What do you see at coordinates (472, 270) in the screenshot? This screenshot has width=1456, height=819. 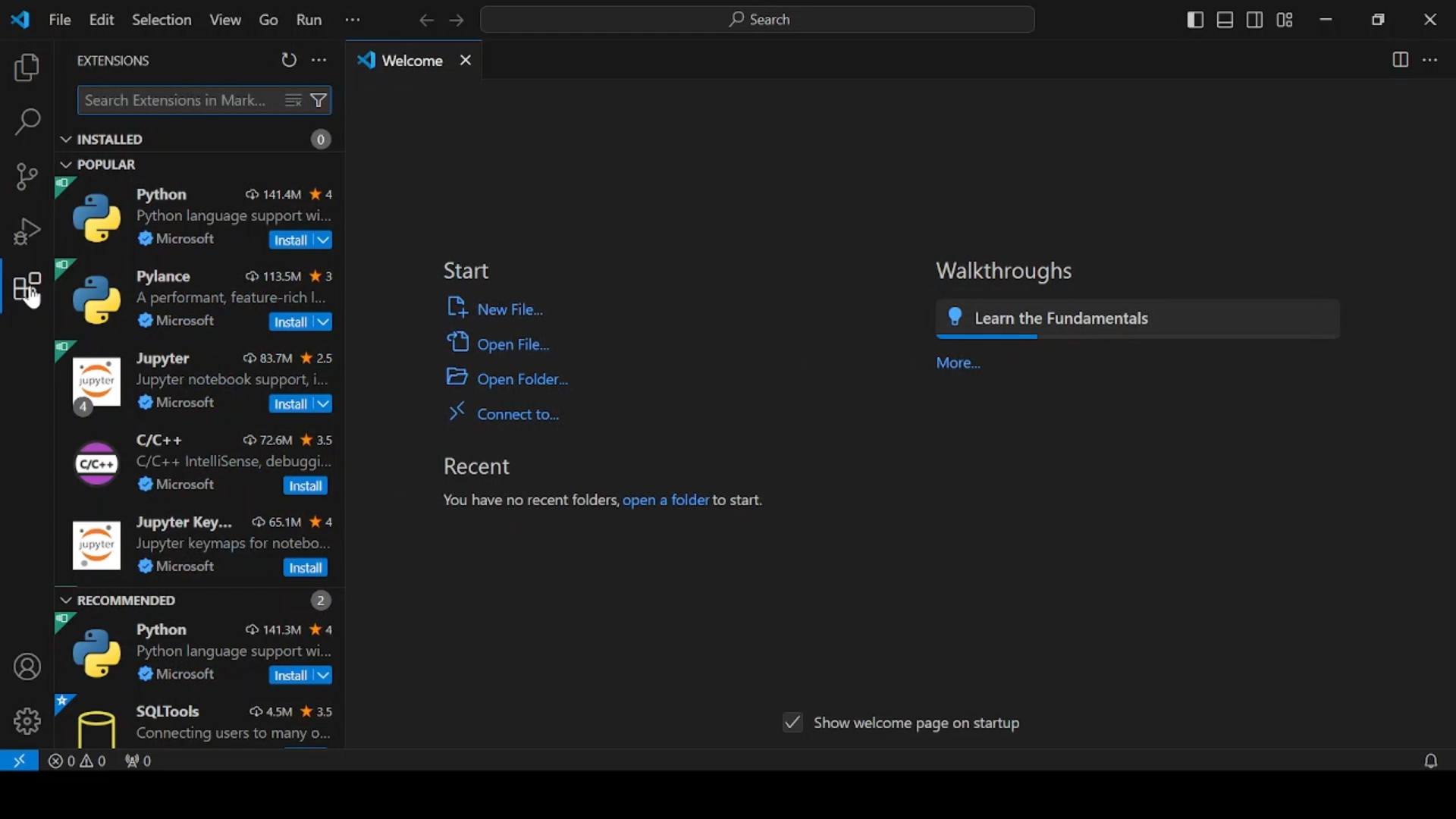 I see `start` at bounding box center [472, 270].